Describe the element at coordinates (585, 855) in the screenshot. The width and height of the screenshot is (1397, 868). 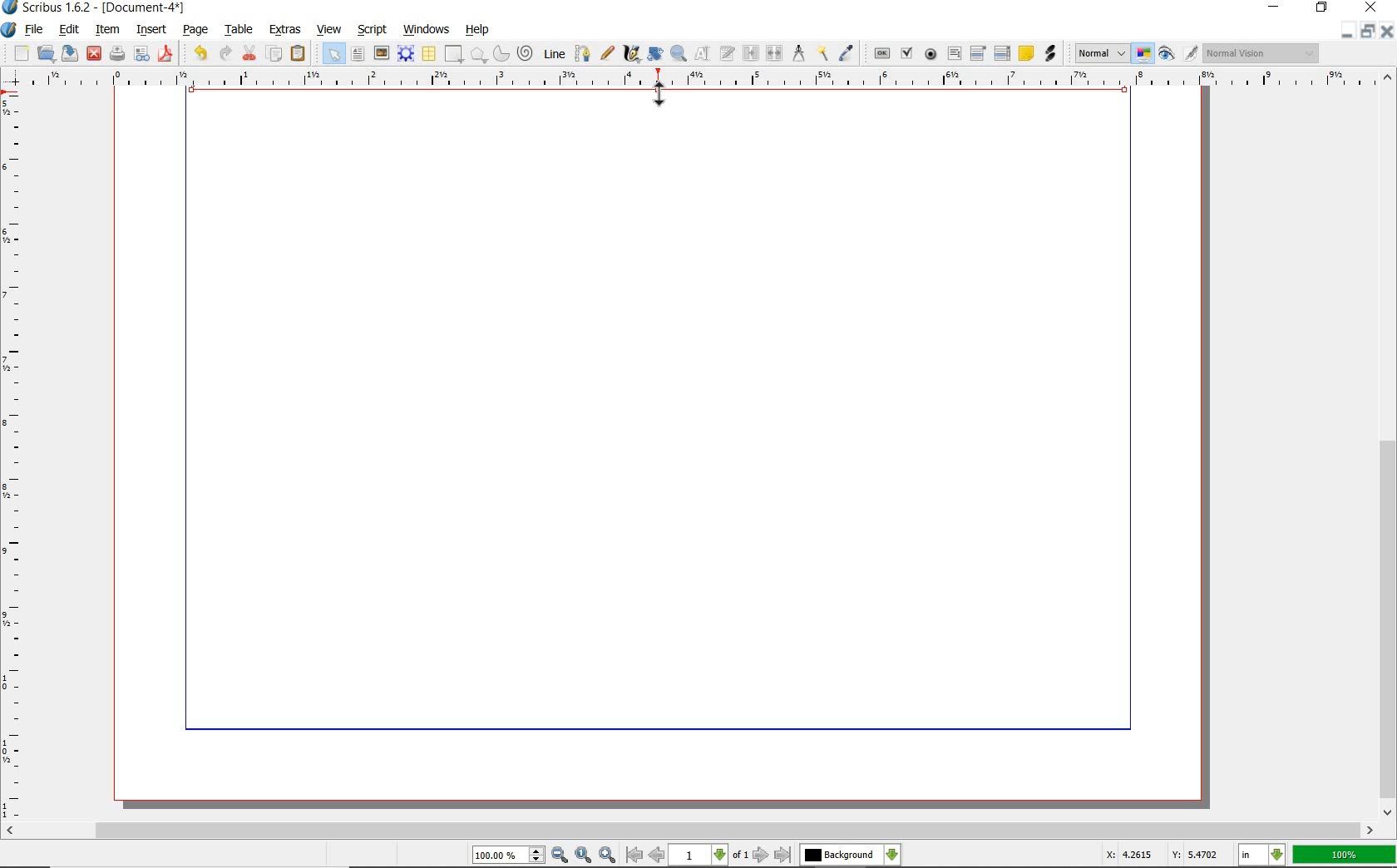
I see `zoom to 100%` at that location.